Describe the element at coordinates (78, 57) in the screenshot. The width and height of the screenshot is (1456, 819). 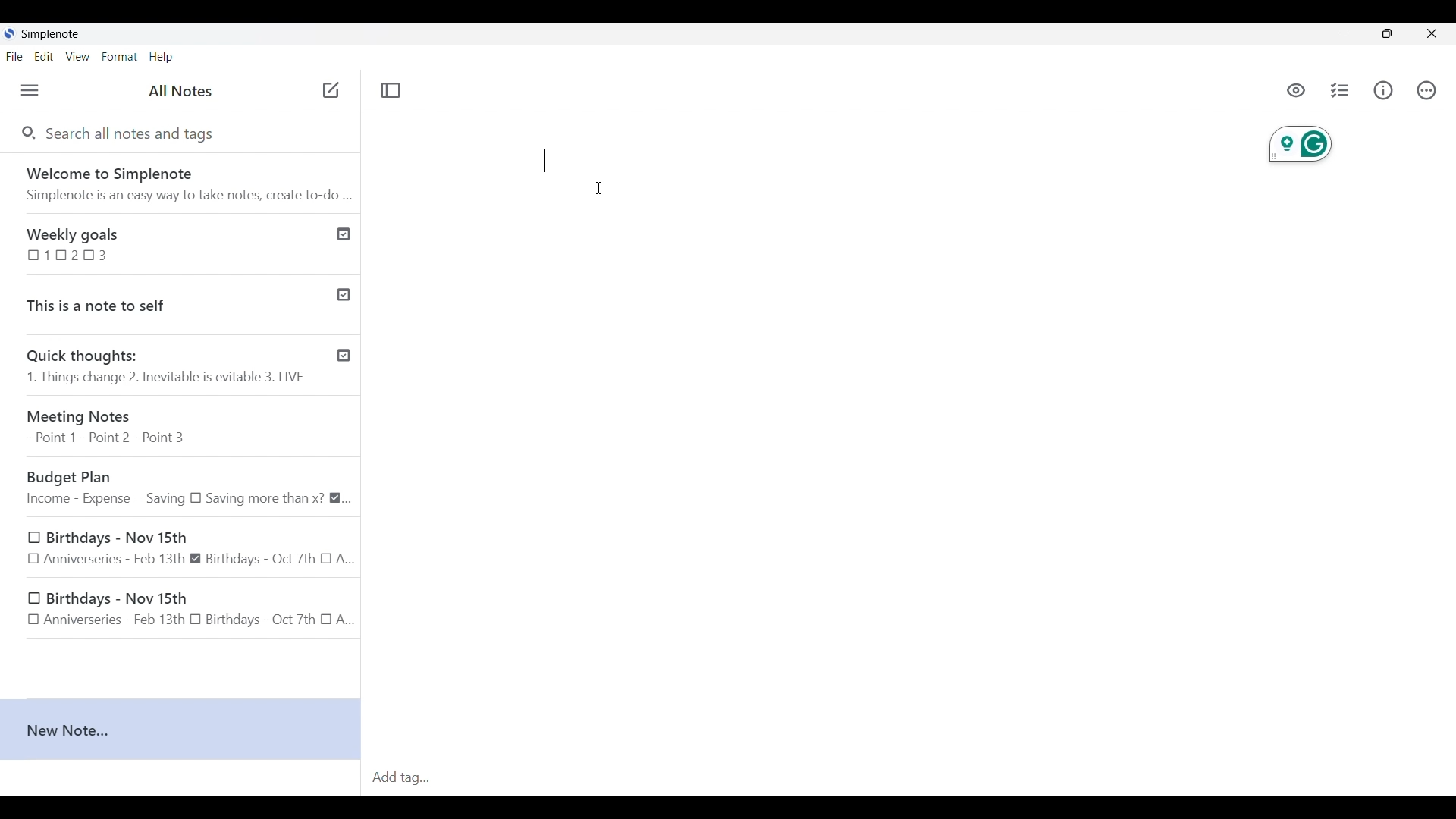
I see `View menu` at that location.